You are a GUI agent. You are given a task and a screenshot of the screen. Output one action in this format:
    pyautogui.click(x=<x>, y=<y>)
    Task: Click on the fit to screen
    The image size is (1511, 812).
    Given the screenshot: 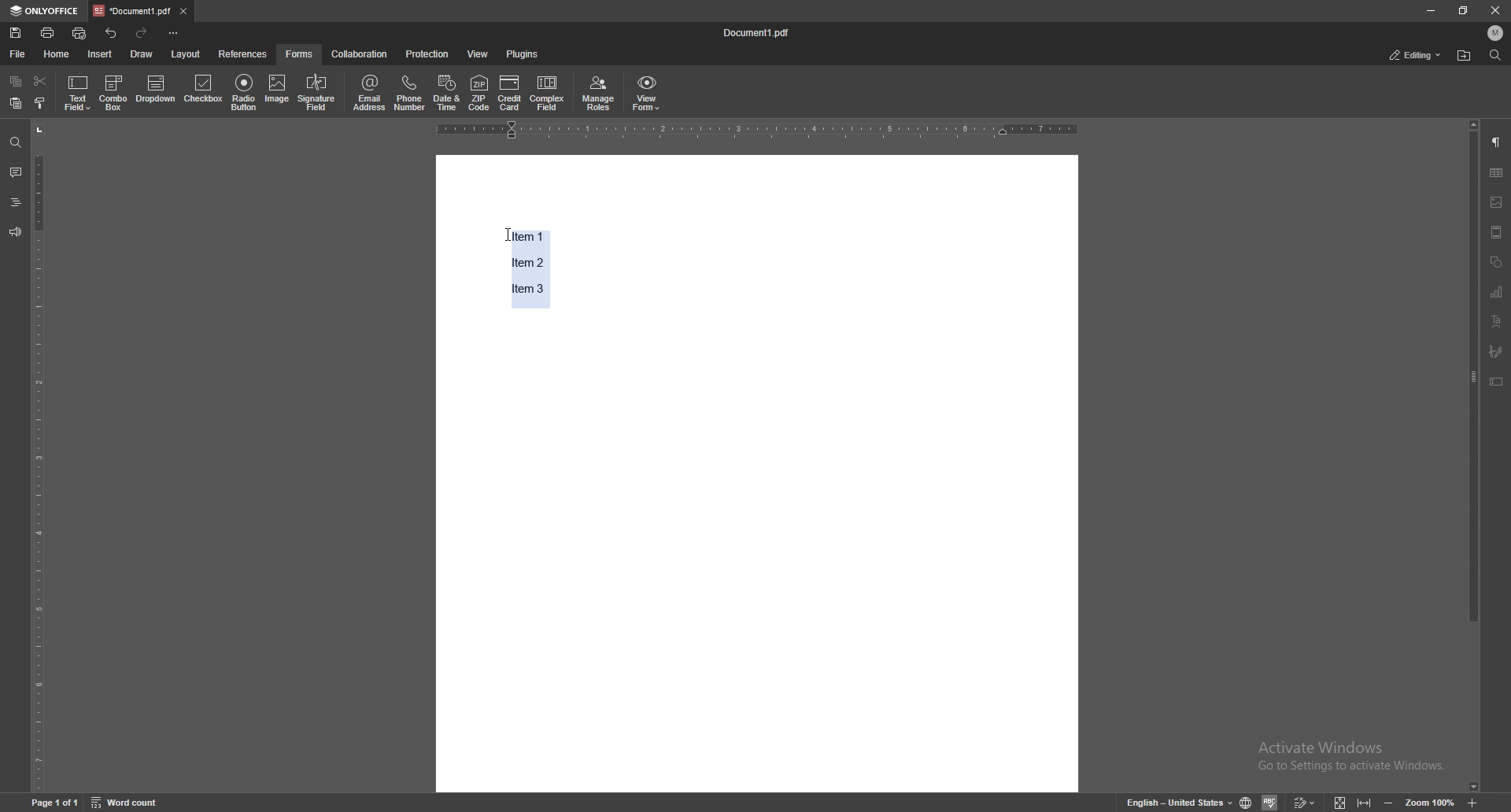 What is the action you would take?
    pyautogui.click(x=1340, y=801)
    